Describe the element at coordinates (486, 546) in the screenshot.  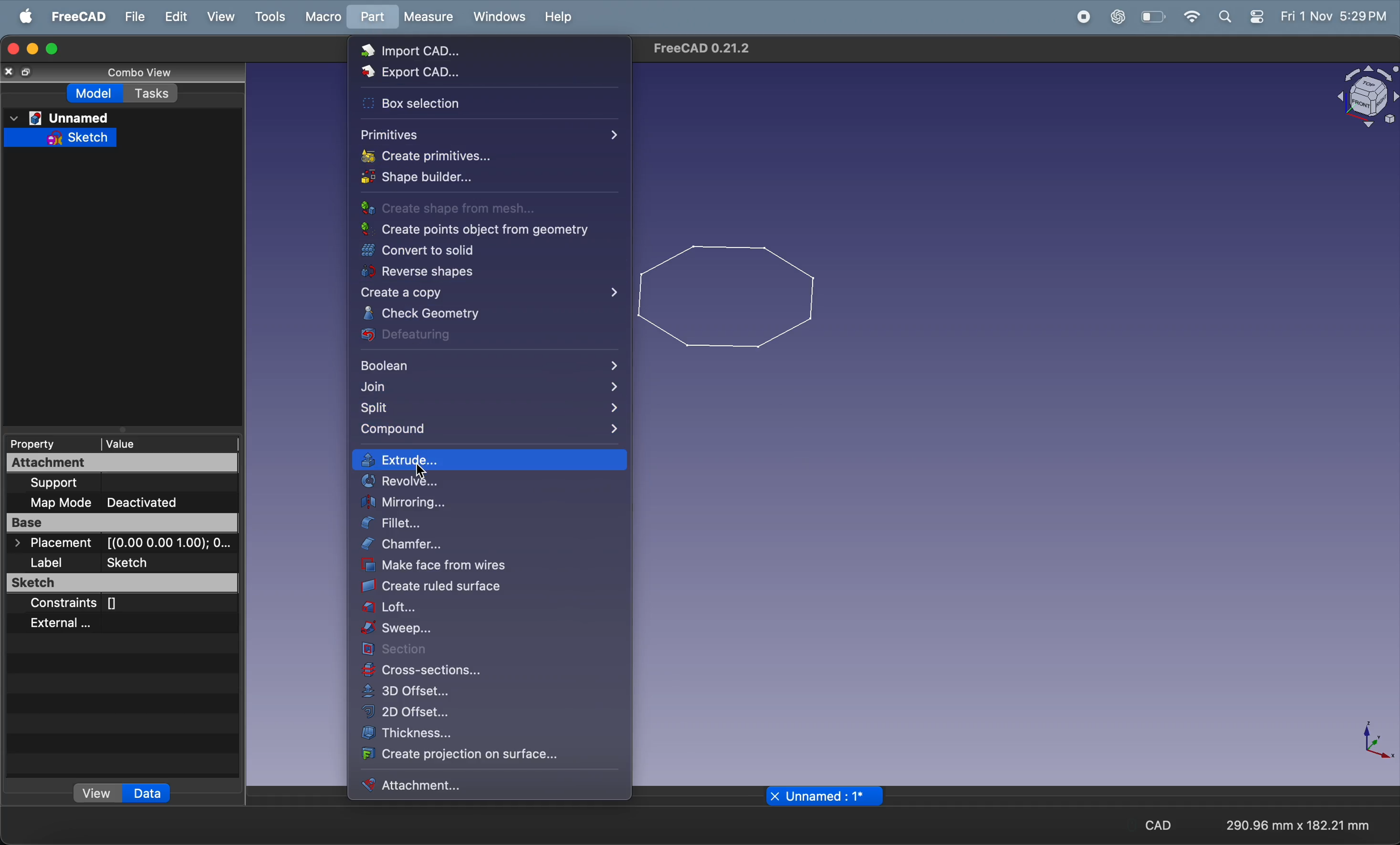
I see `chamfer` at that location.